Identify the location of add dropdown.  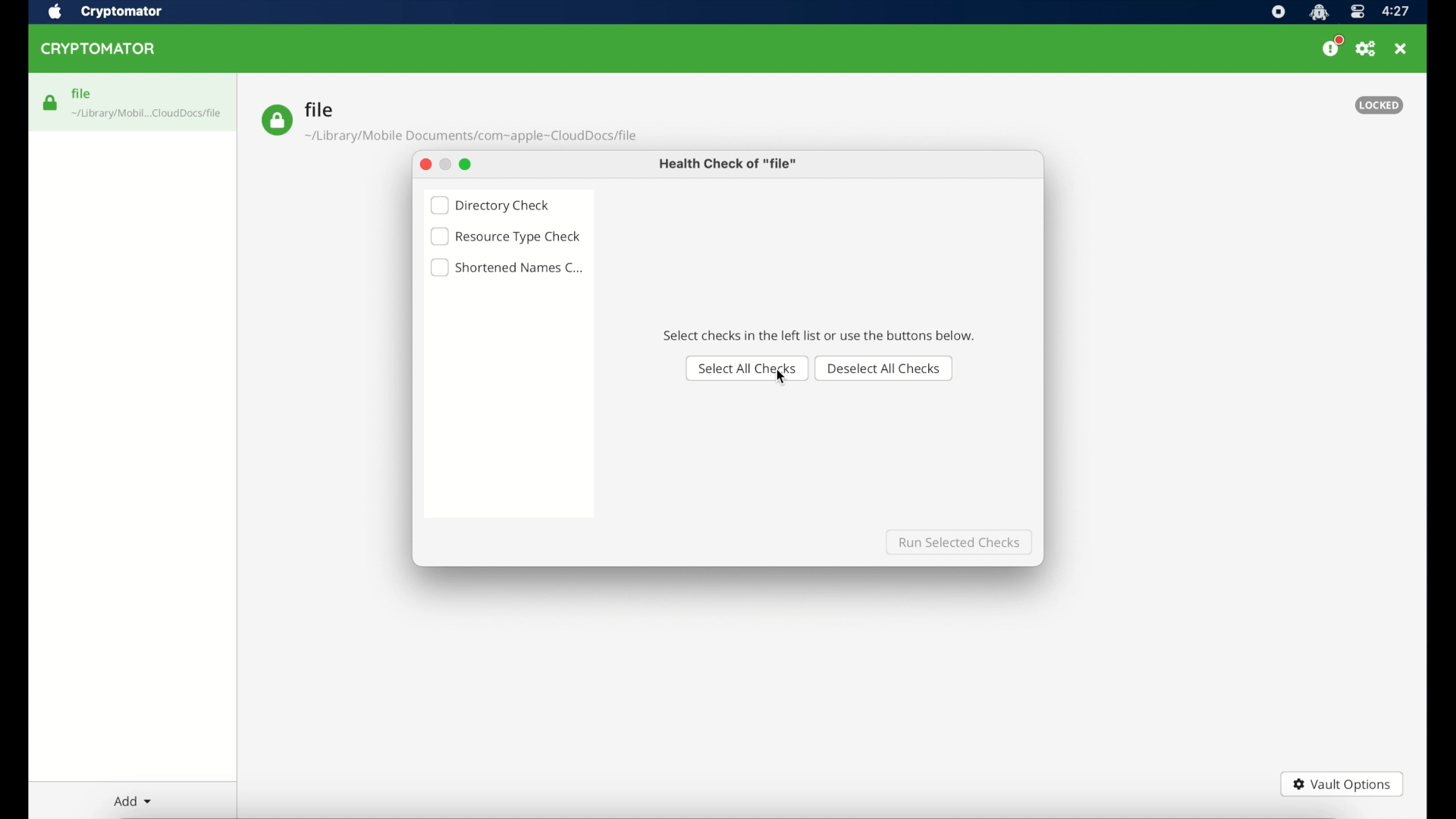
(130, 801).